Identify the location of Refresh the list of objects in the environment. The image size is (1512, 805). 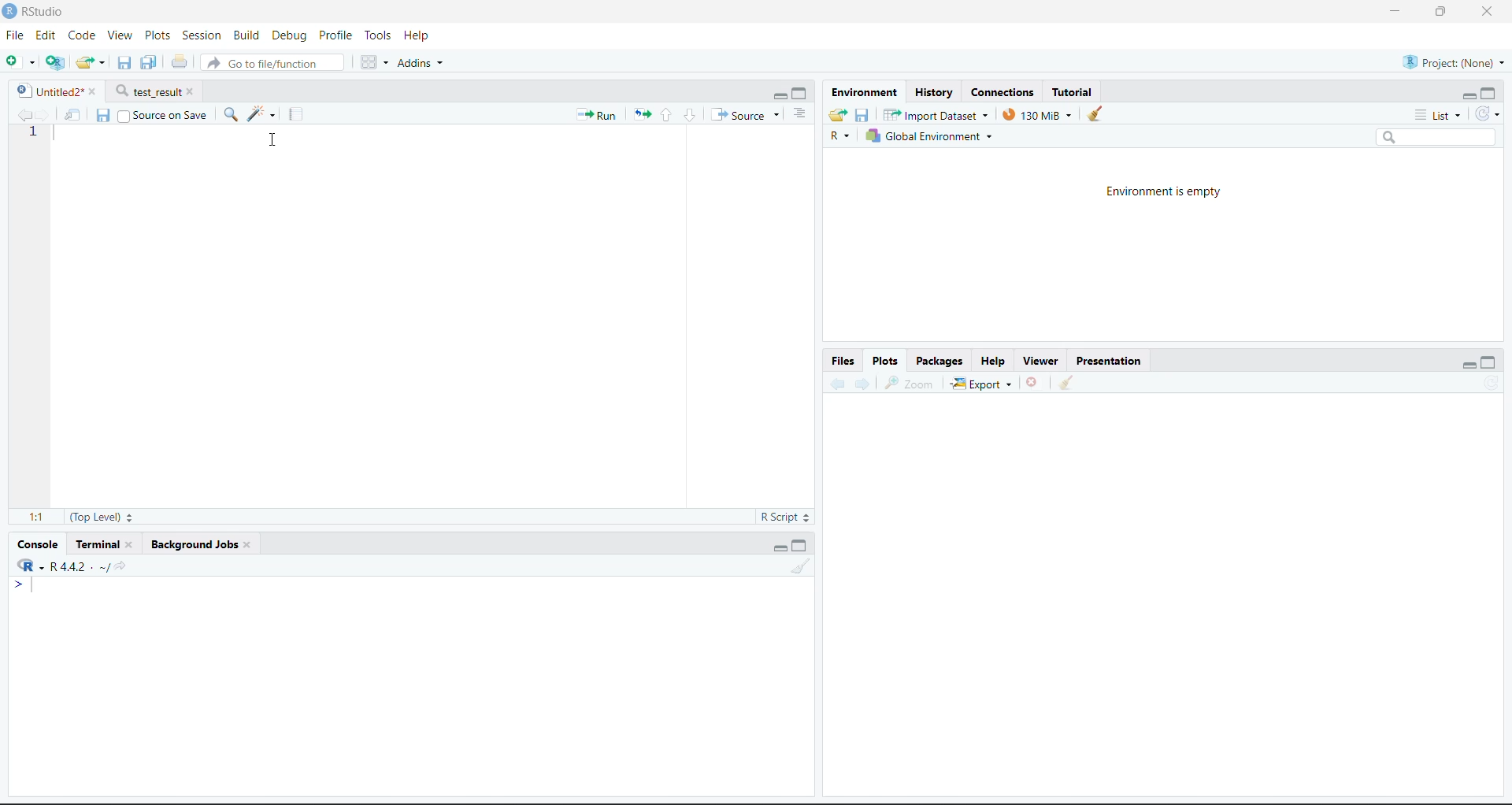
(1487, 113).